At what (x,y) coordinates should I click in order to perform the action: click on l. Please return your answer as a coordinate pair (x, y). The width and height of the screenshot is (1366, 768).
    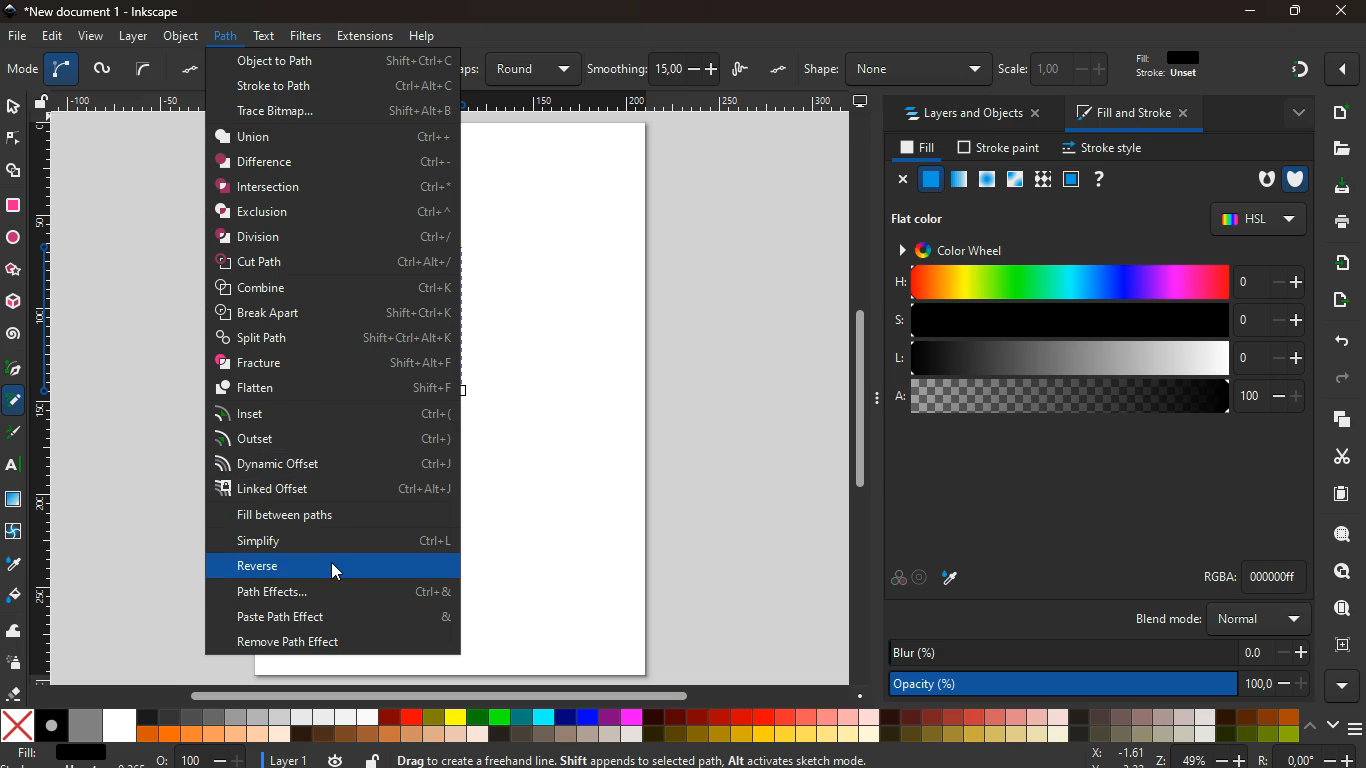
    Looking at the image, I should click on (1099, 359).